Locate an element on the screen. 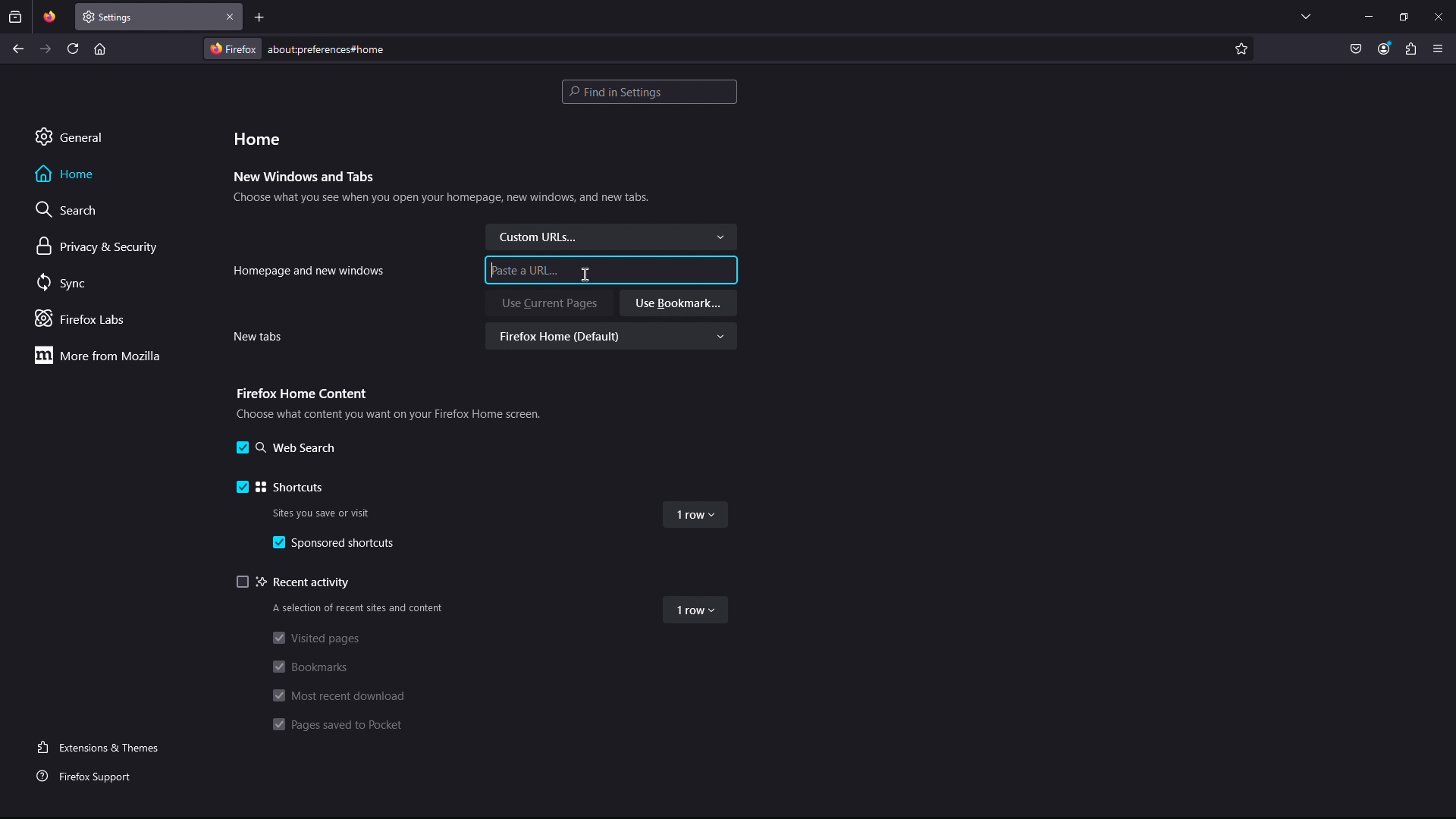  Close is located at coordinates (231, 17).